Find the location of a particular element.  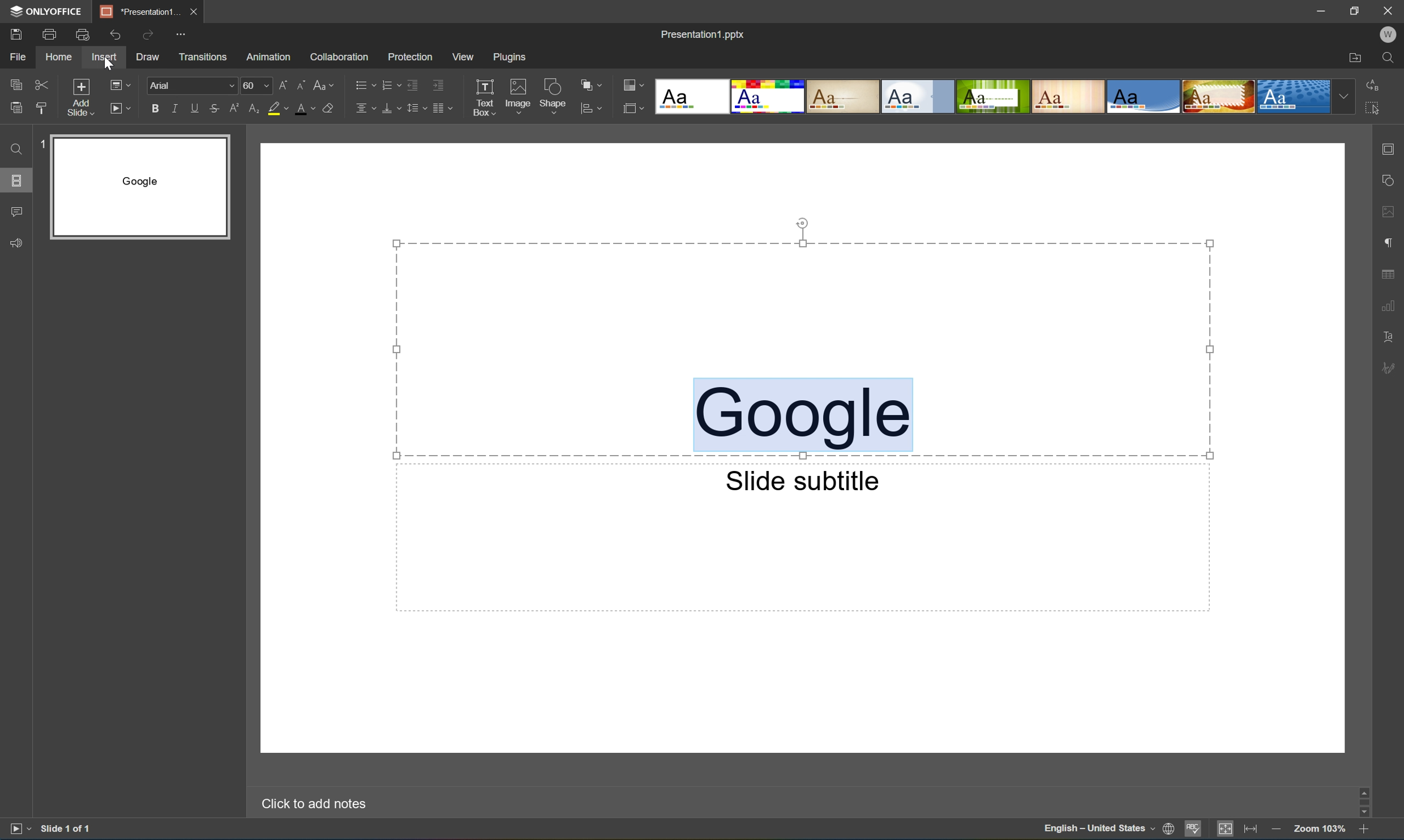

Text art settings is located at coordinates (1393, 335).